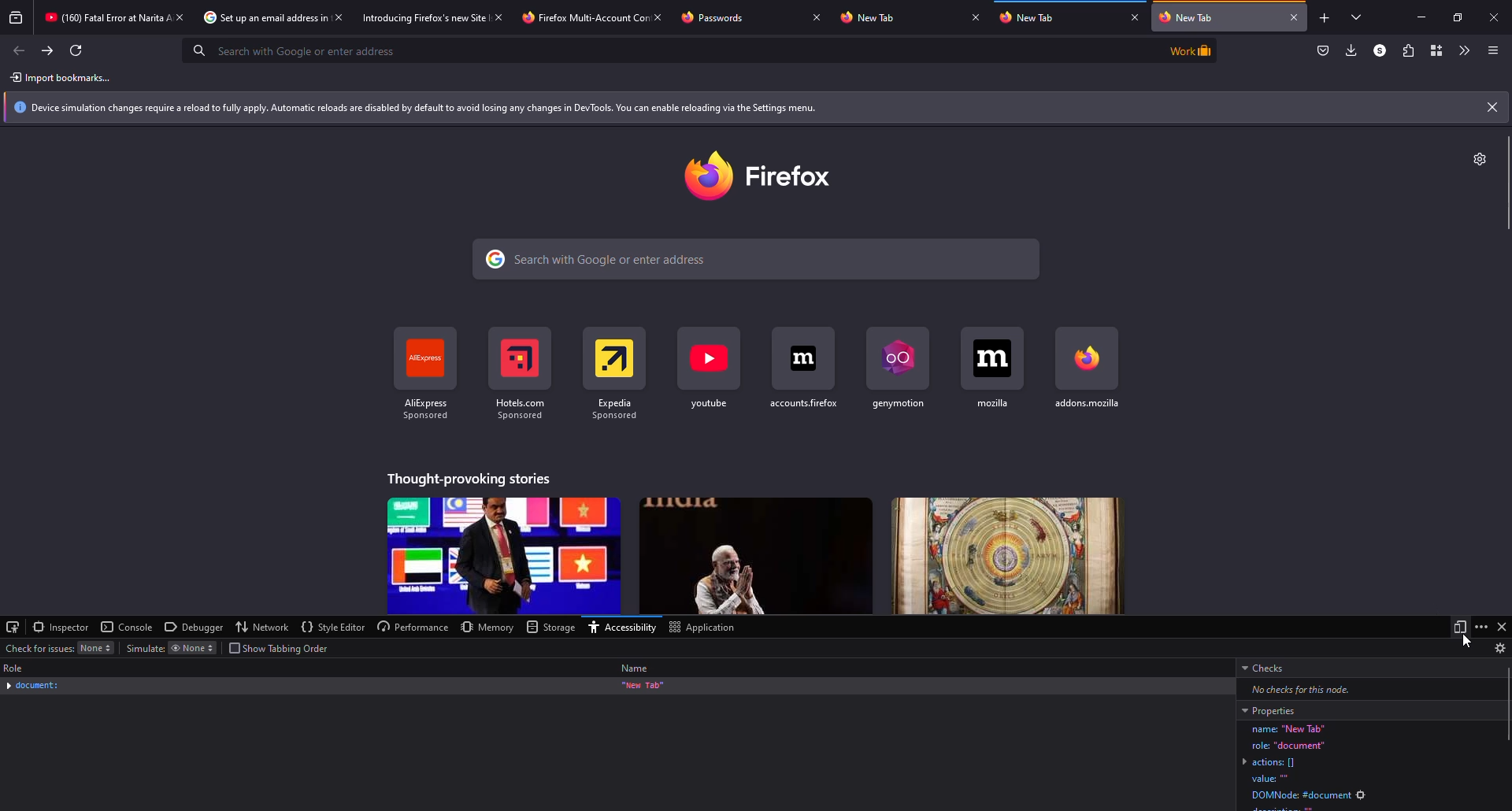 The image size is (1512, 811). What do you see at coordinates (33, 686) in the screenshot?
I see `document` at bounding box center [33, 686].